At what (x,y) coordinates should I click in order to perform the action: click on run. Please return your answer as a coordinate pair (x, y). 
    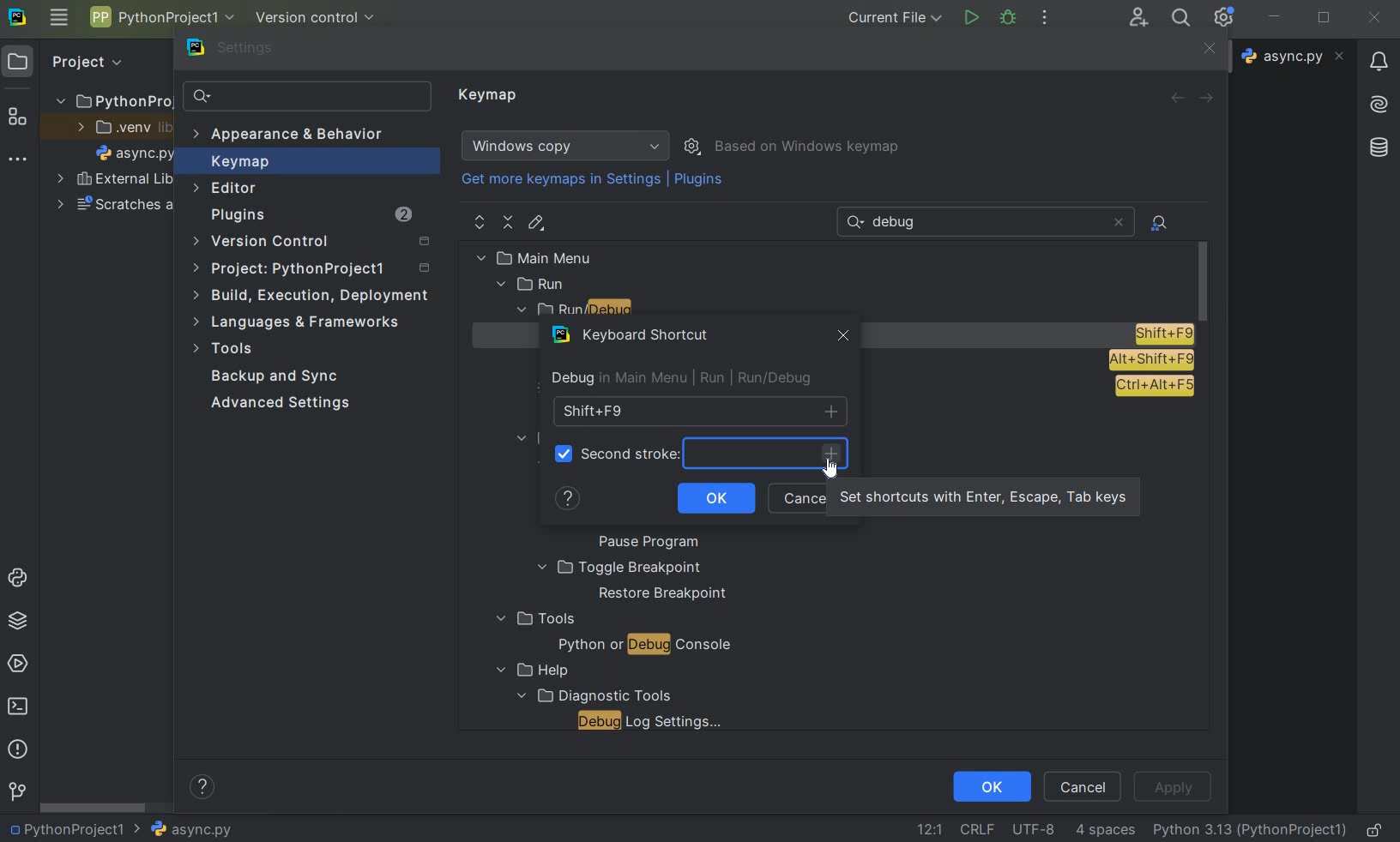
    Looking at the image, I should click on (533, 285).